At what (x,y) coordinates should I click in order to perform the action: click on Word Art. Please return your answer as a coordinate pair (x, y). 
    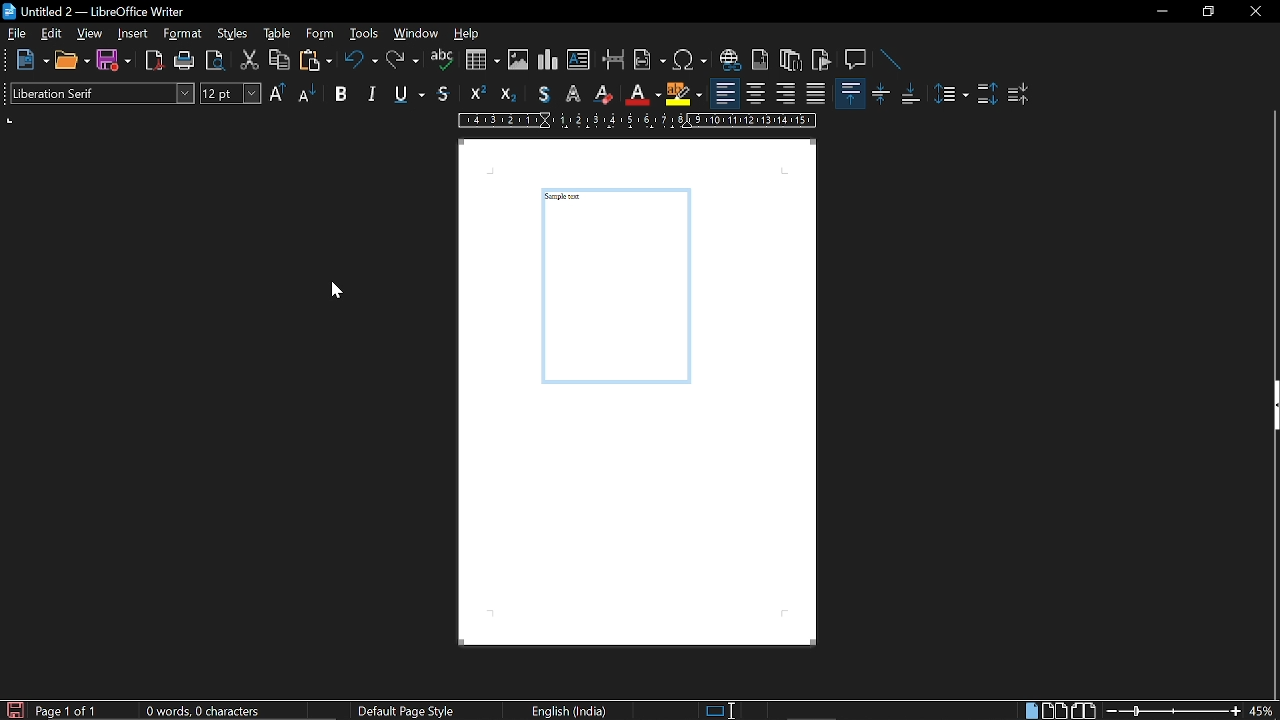
    Looking at the image, I should click on (573, 94).